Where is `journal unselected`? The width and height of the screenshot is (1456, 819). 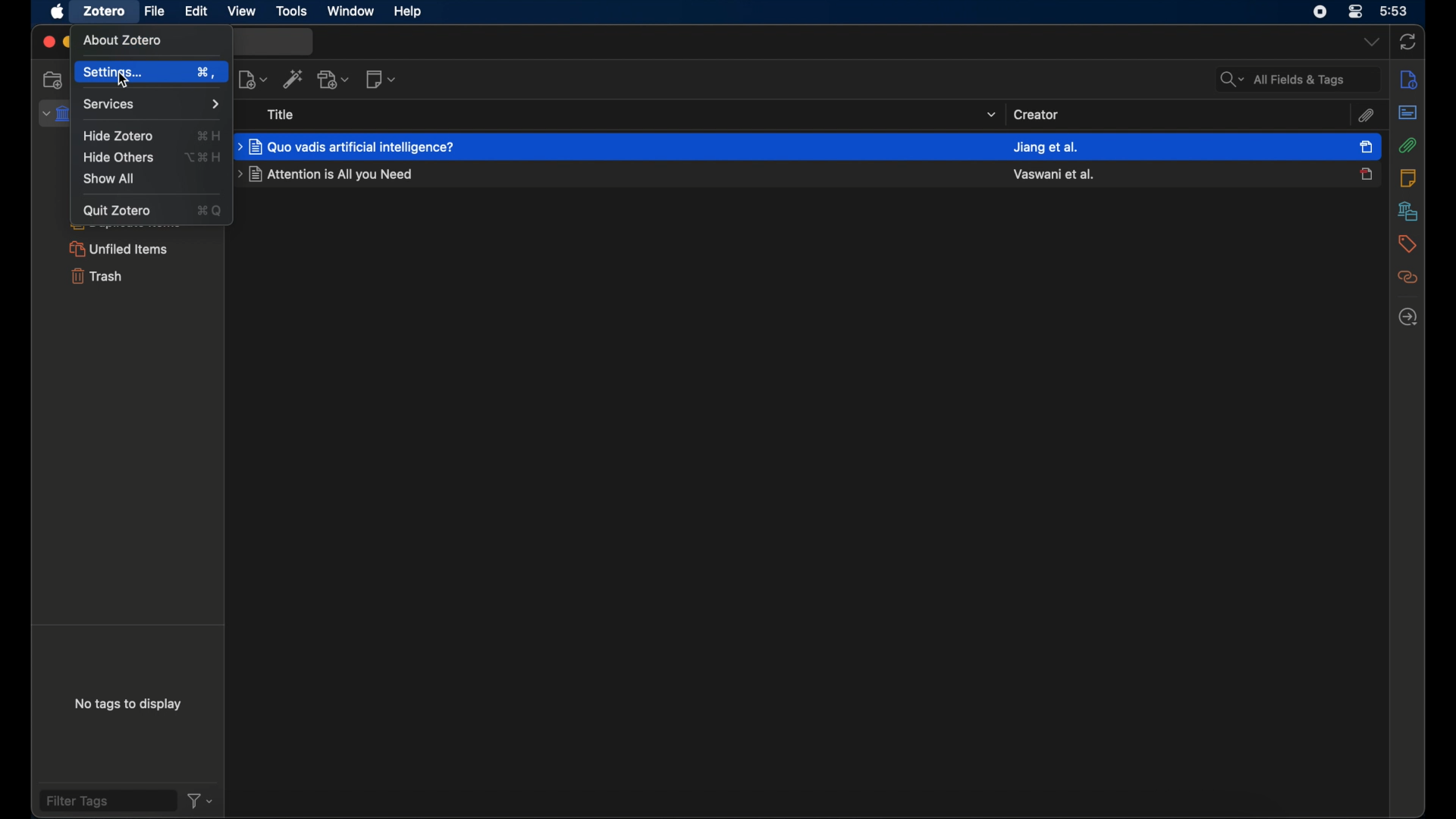 journal unselected is located at coordinates (1366, 174).